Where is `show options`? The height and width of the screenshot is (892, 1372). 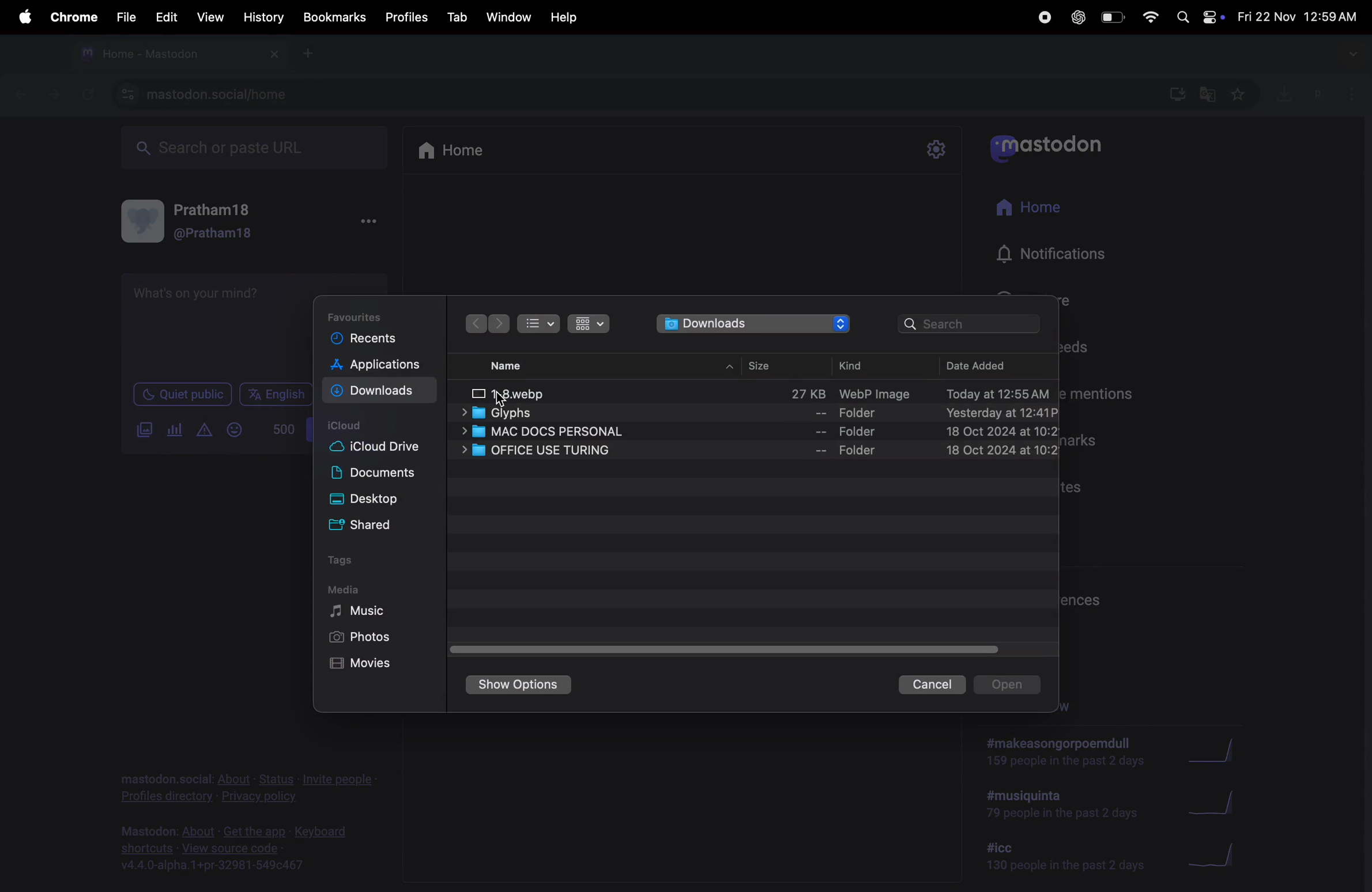 show options is located at coordinates (521, 685).